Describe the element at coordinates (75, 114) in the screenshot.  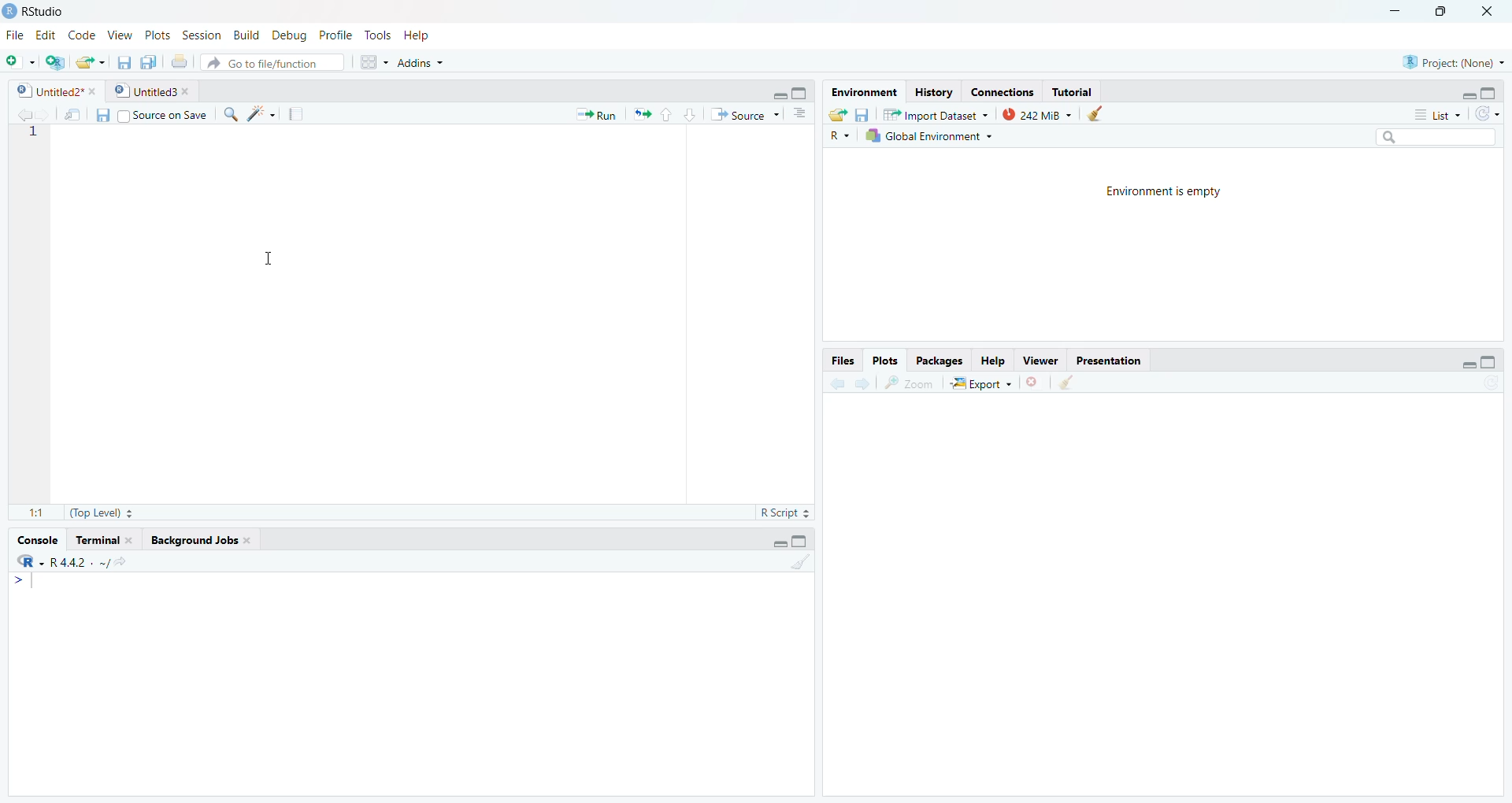
I see `show in window` at that location.